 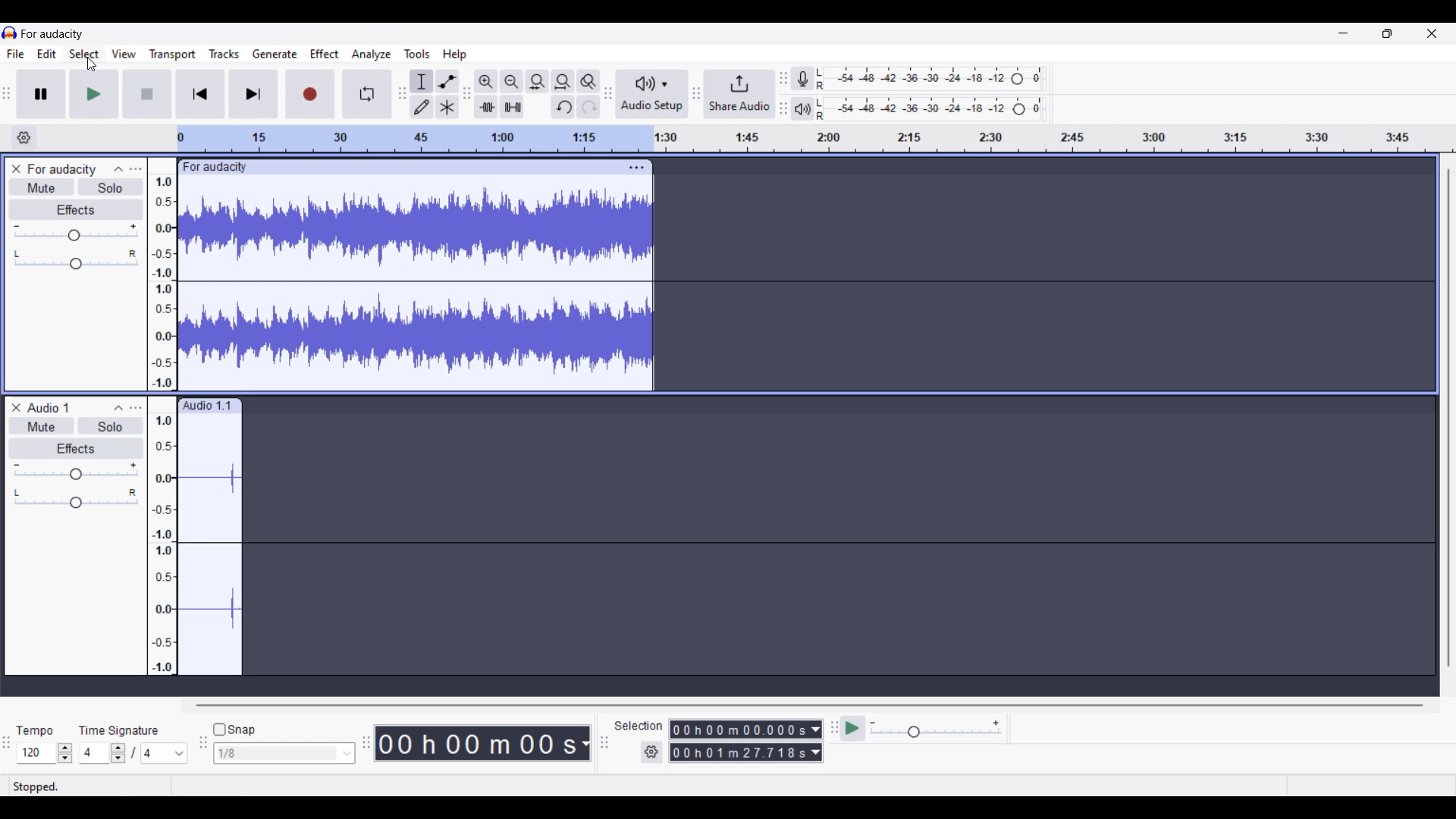 I want to click on Show interface in smaller tab, so click(x=1387, y=33).